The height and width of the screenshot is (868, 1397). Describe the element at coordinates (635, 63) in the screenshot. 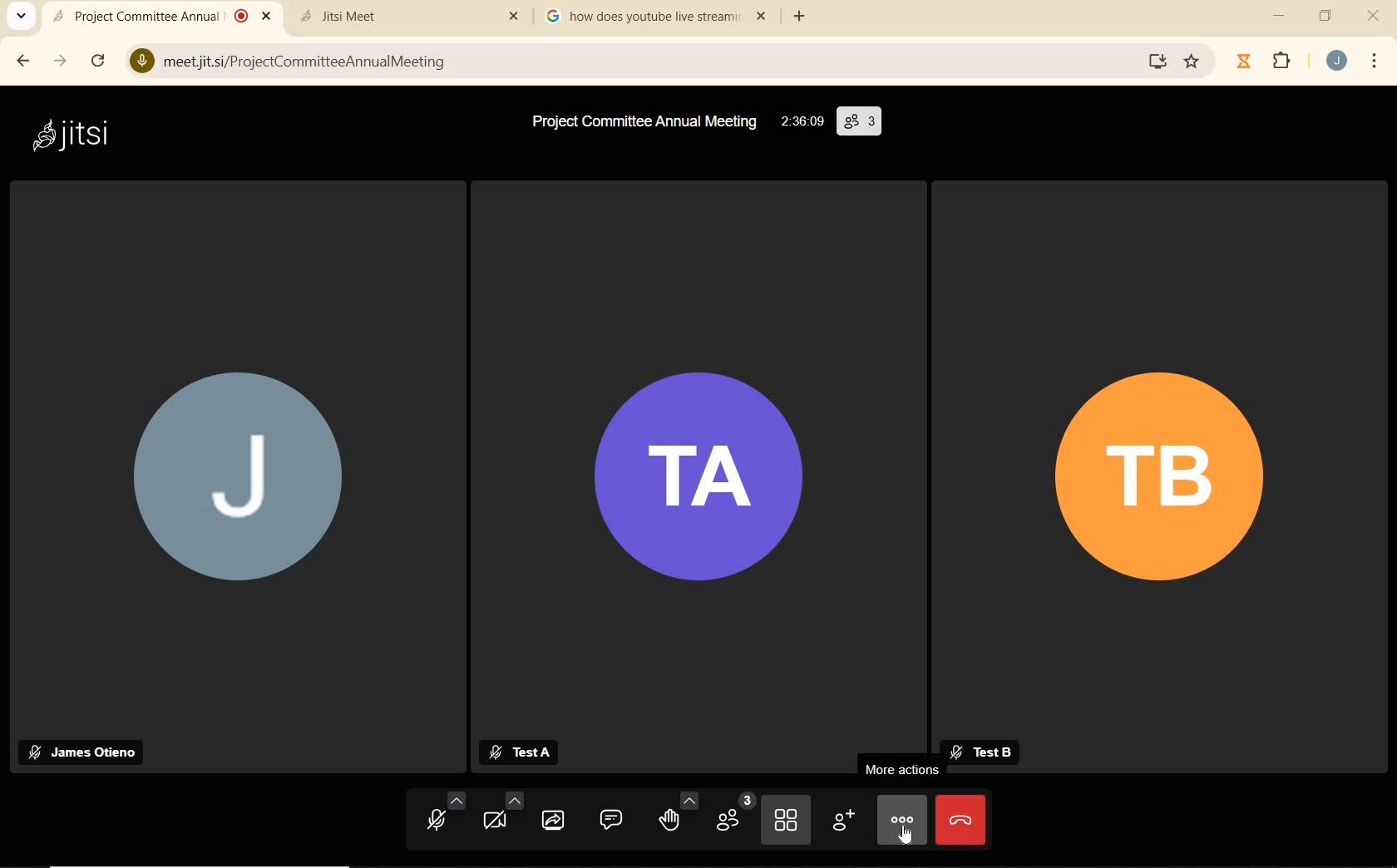

I see `meetjitsi/ProjectCommitteeAnnualMeeting` at that location.